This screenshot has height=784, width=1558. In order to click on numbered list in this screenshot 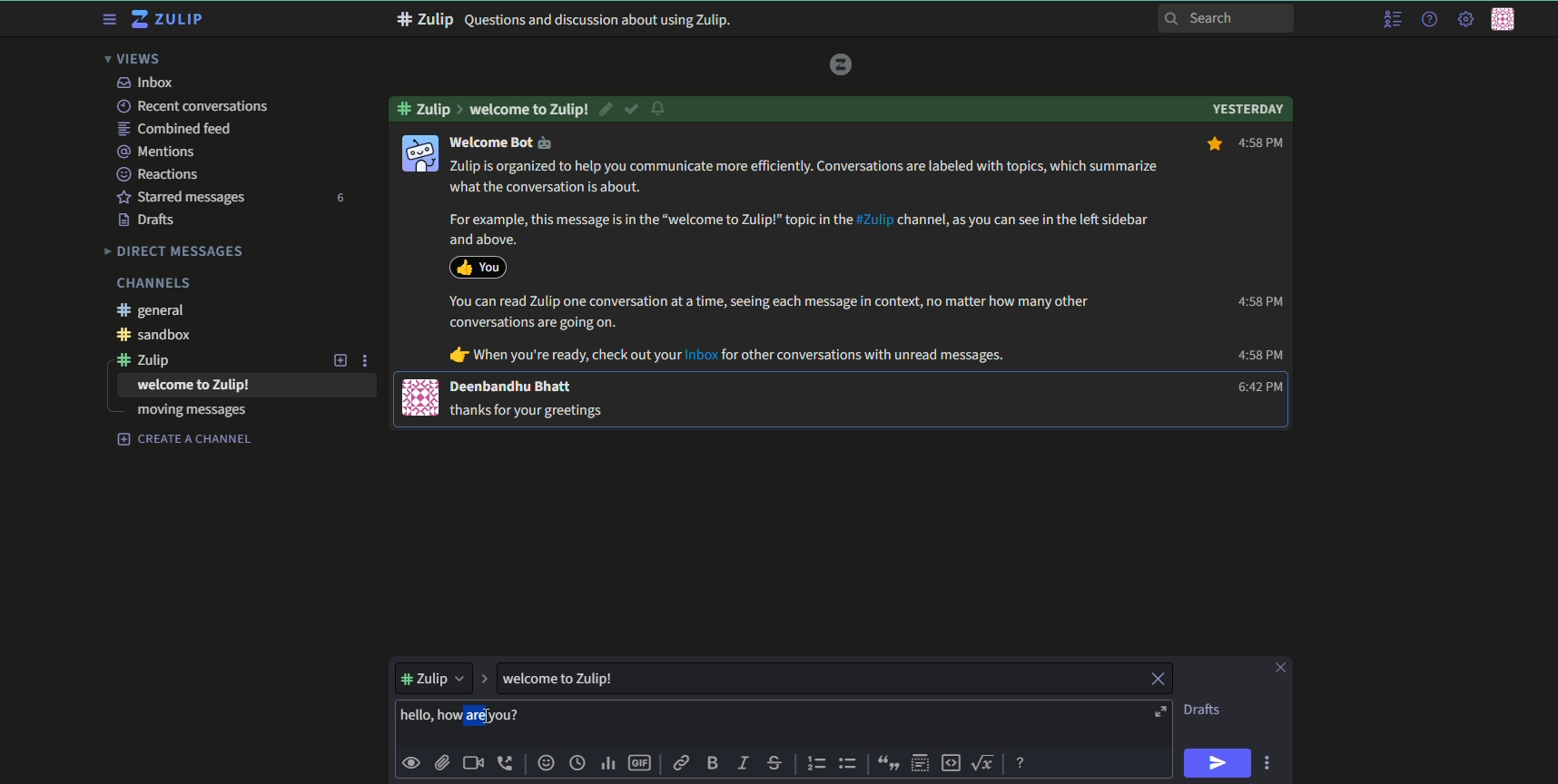, I will do `click(817, 763)`.